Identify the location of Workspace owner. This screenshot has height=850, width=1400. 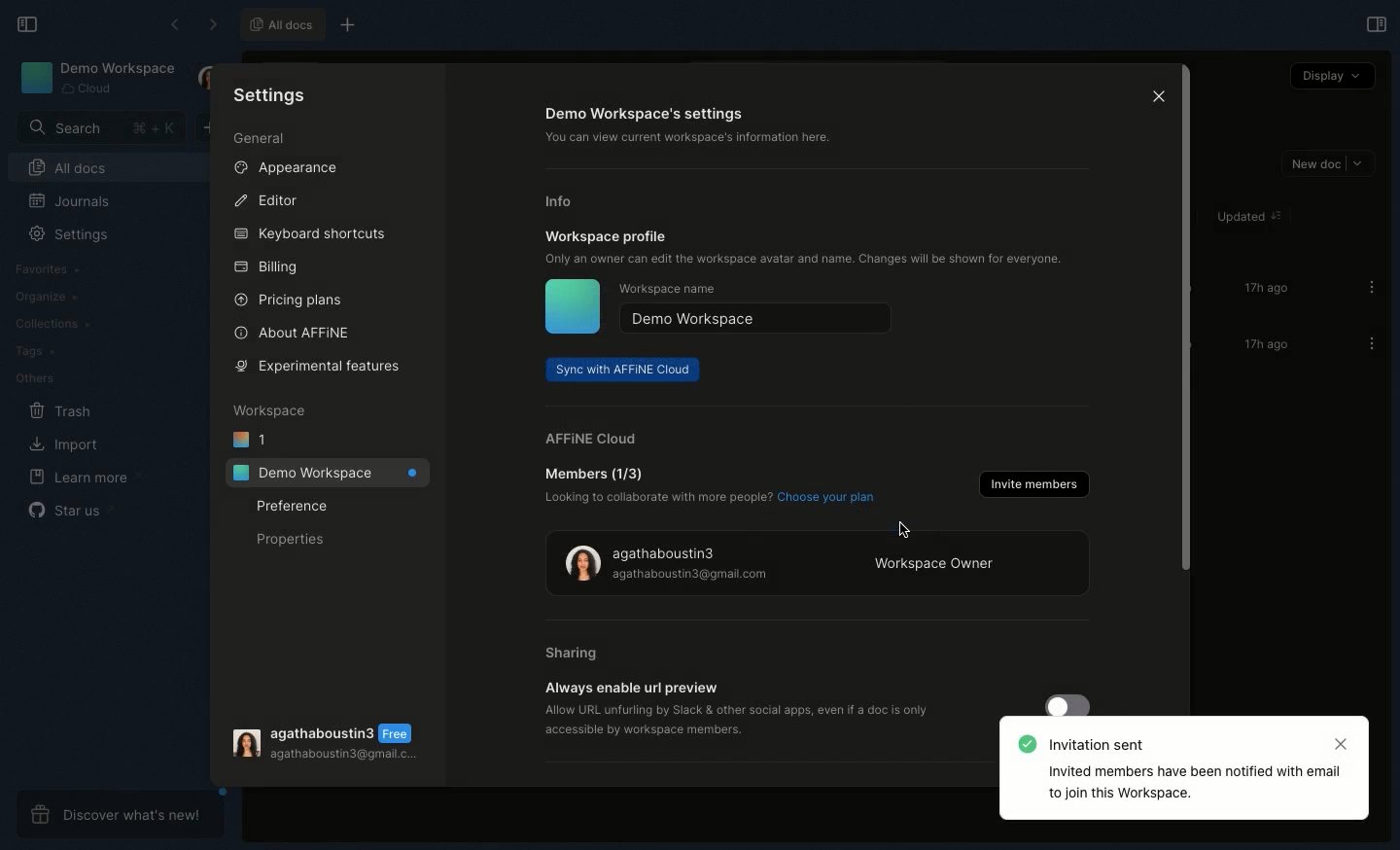
(814, 563).